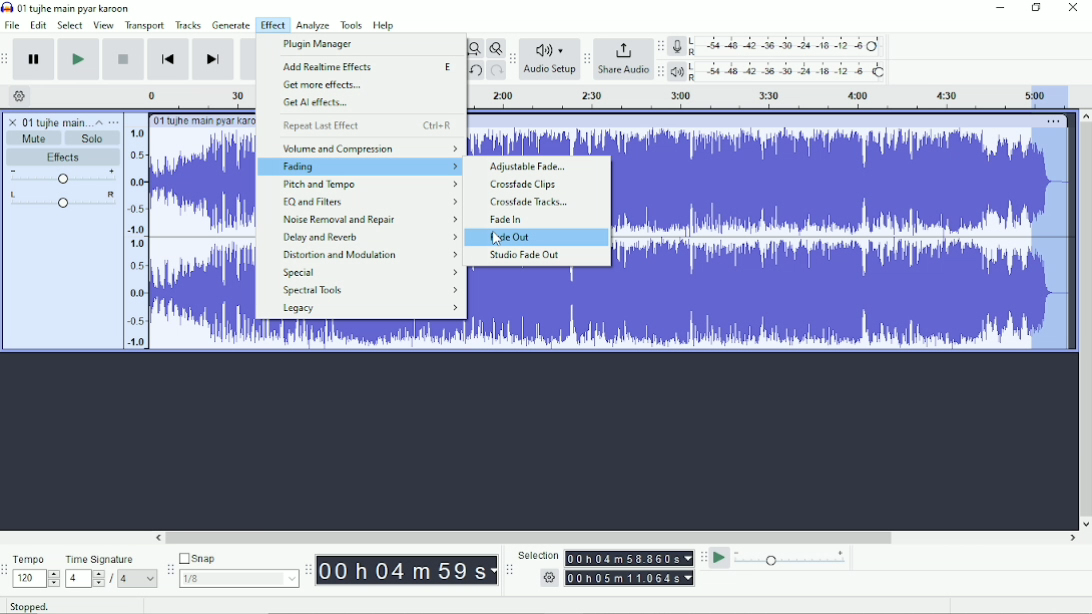 The height and width of the screenshot is (614, 1092). What do you see at coordinates (497, 239) in the screenshot?
I see `Cursor` at bounding box center [497, 239].